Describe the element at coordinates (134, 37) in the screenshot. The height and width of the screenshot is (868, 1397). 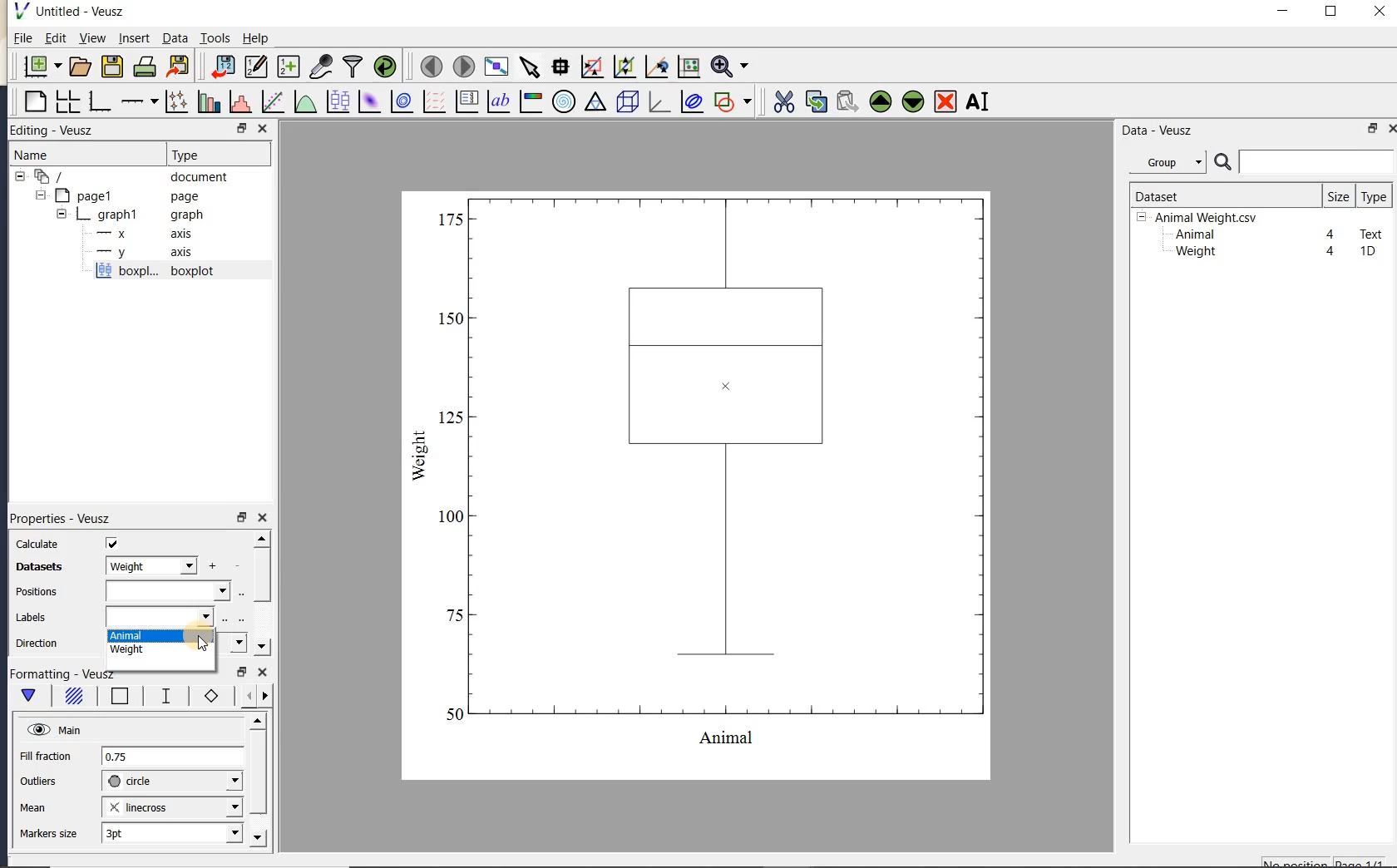
I see `insert` at that location.